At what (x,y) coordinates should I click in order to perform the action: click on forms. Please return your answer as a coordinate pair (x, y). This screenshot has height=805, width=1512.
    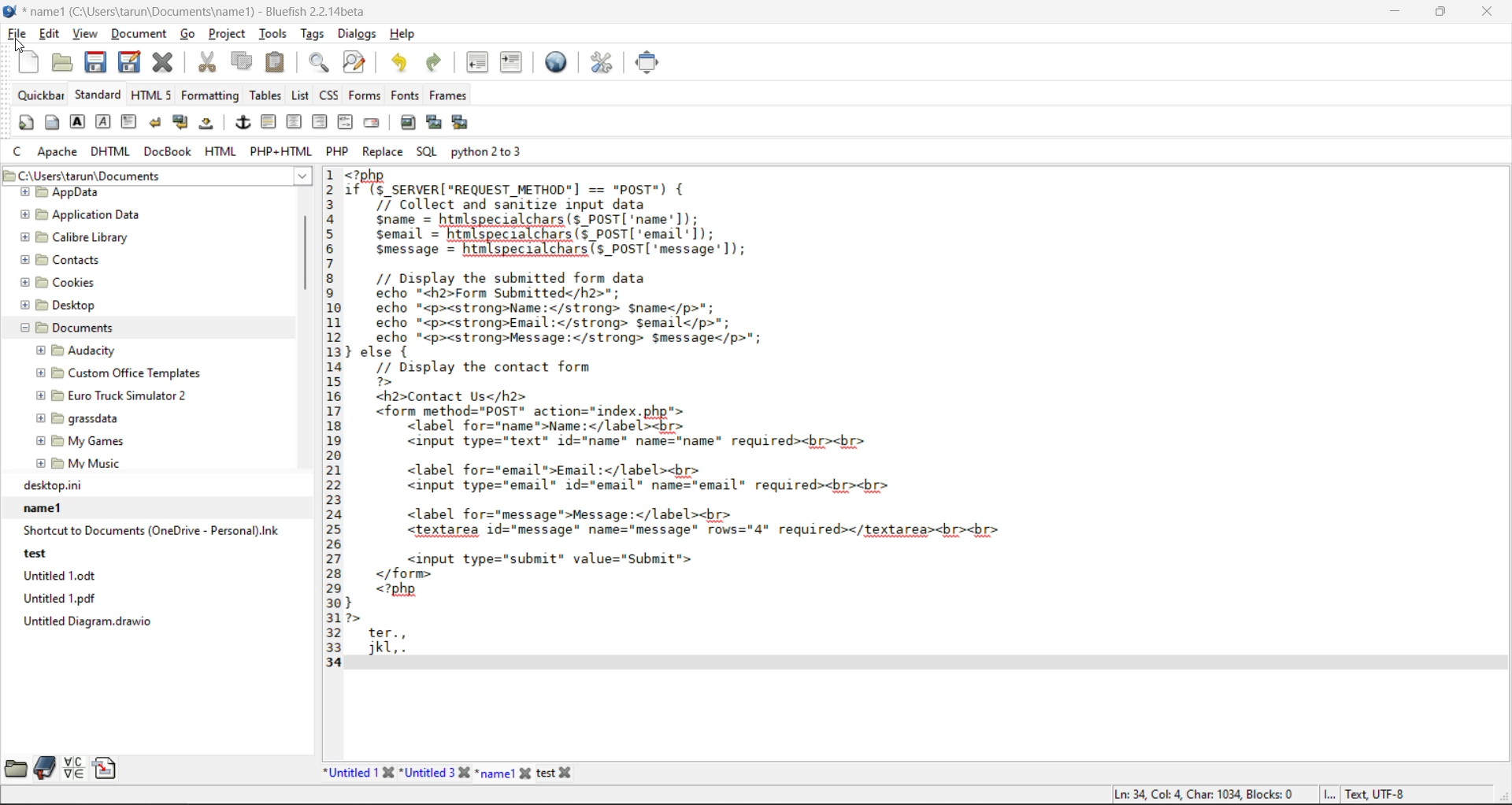
    Looking at the image, I should click on (364, 95).